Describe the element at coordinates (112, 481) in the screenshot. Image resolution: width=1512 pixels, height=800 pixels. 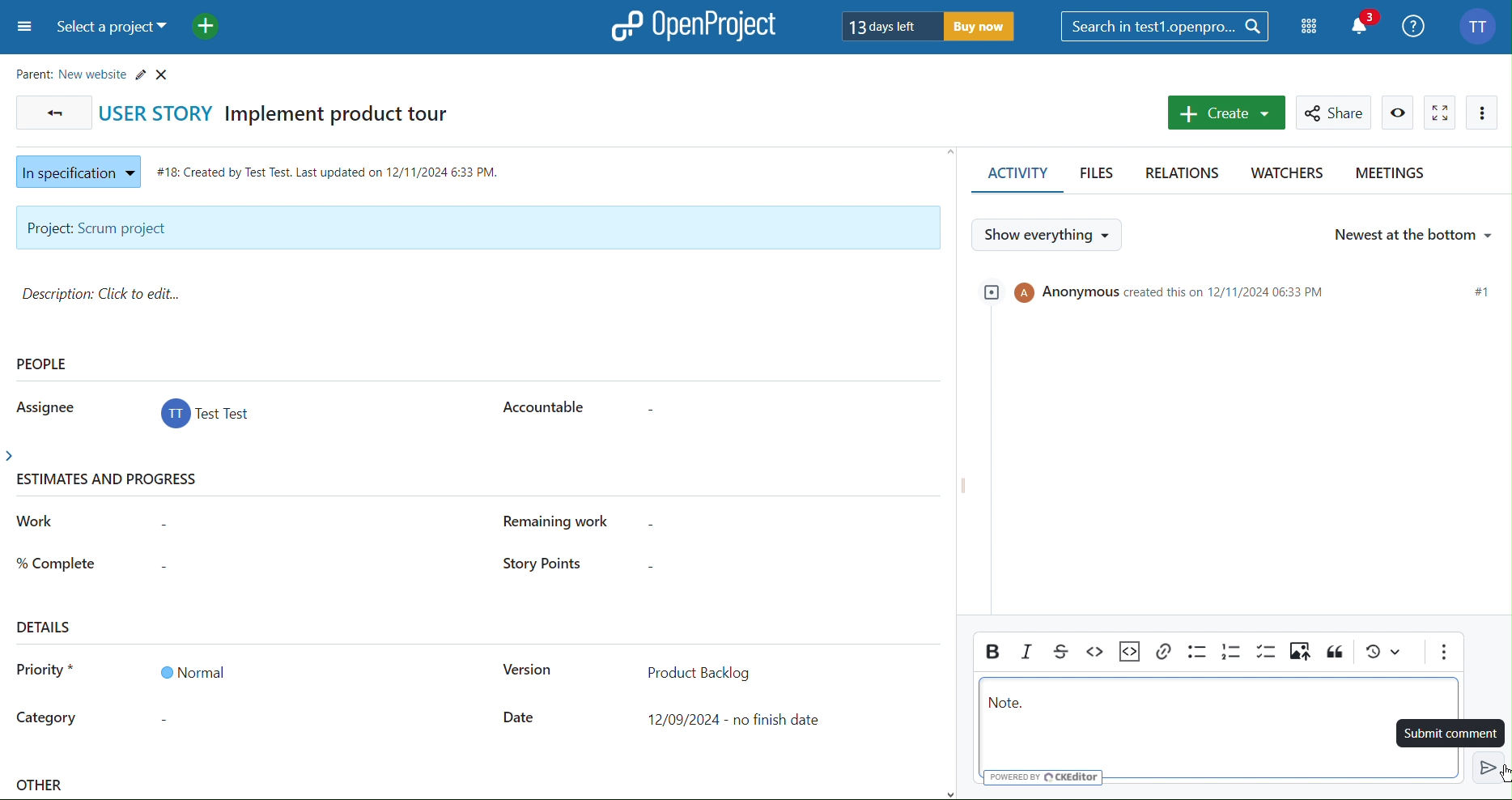
I see `Estimates and Progress` at that location.